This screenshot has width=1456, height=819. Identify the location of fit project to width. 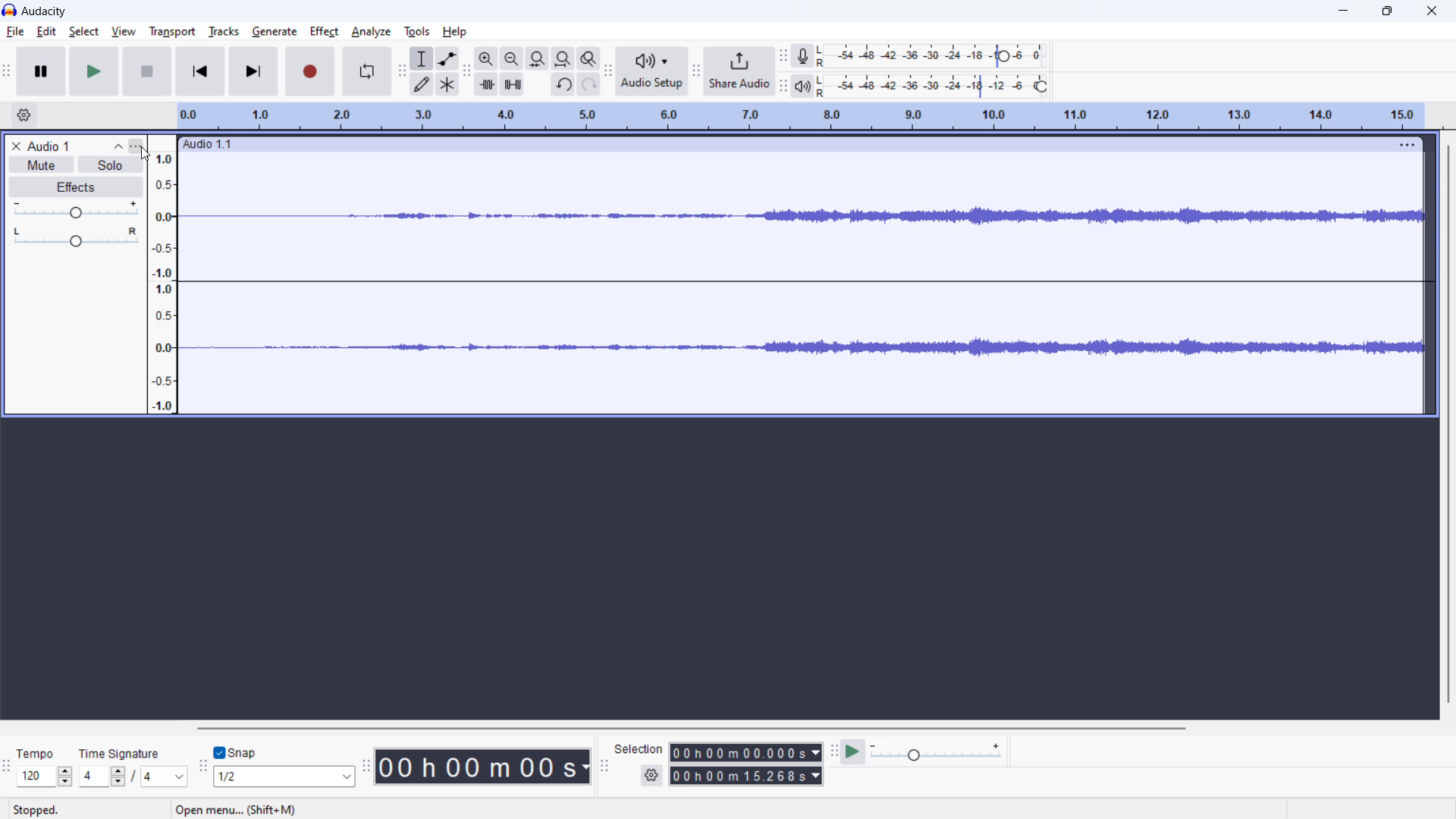
(563, 58).